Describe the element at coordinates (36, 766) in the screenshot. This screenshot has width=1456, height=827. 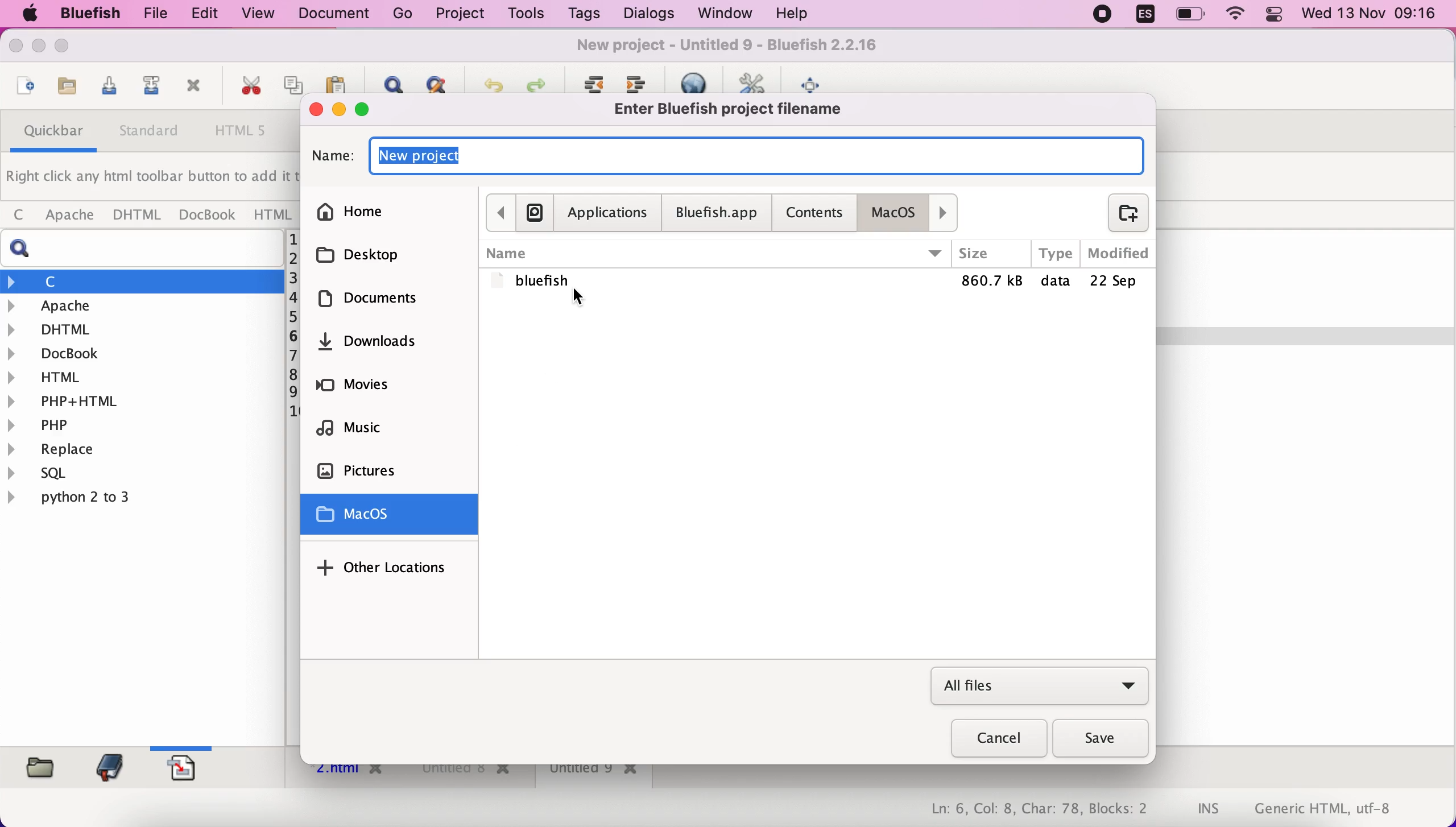
I see `filebrowser` at that location.